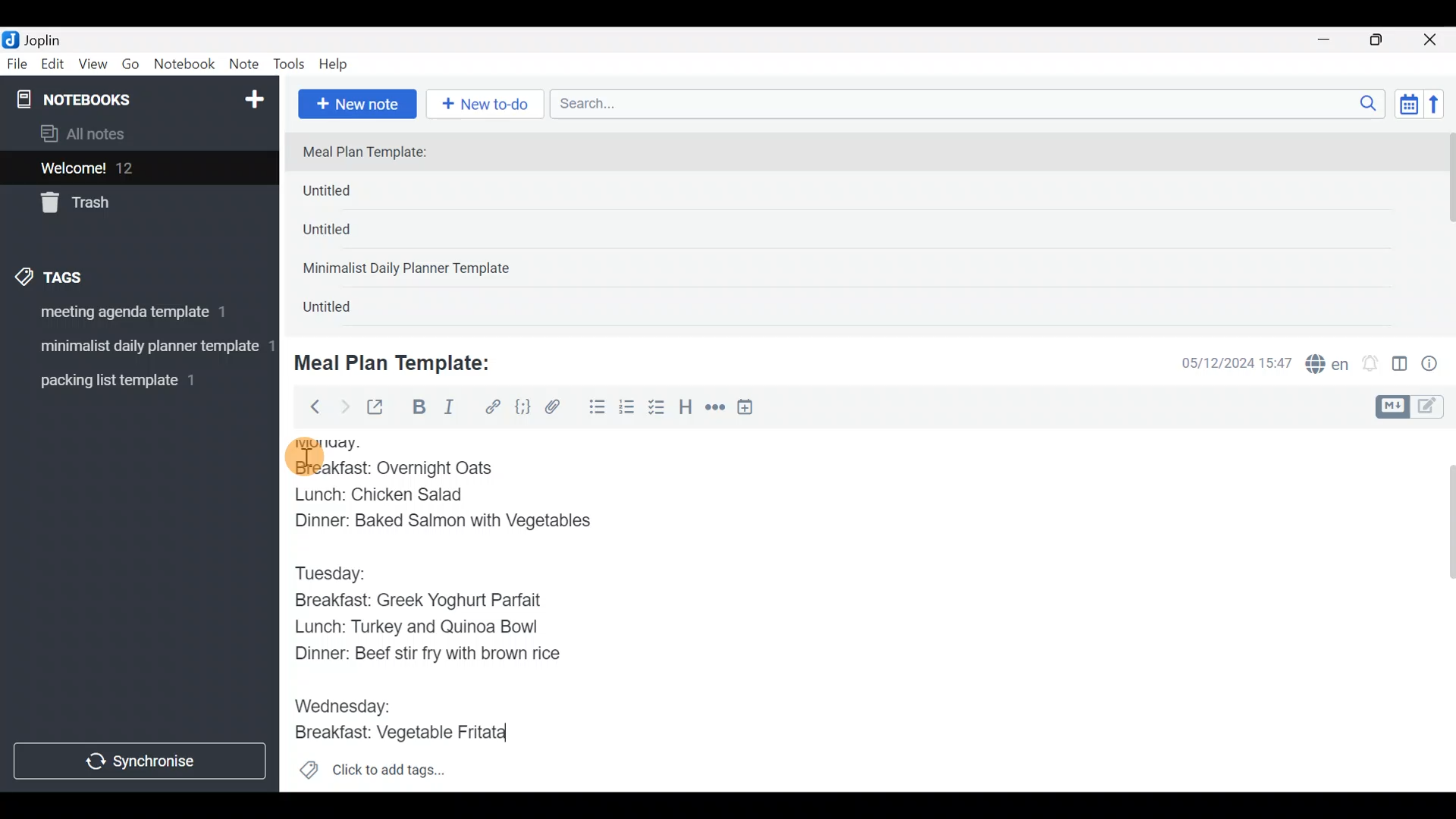 This screenshot has height=819, width=1456. I want to click on File, so click(18, 64).